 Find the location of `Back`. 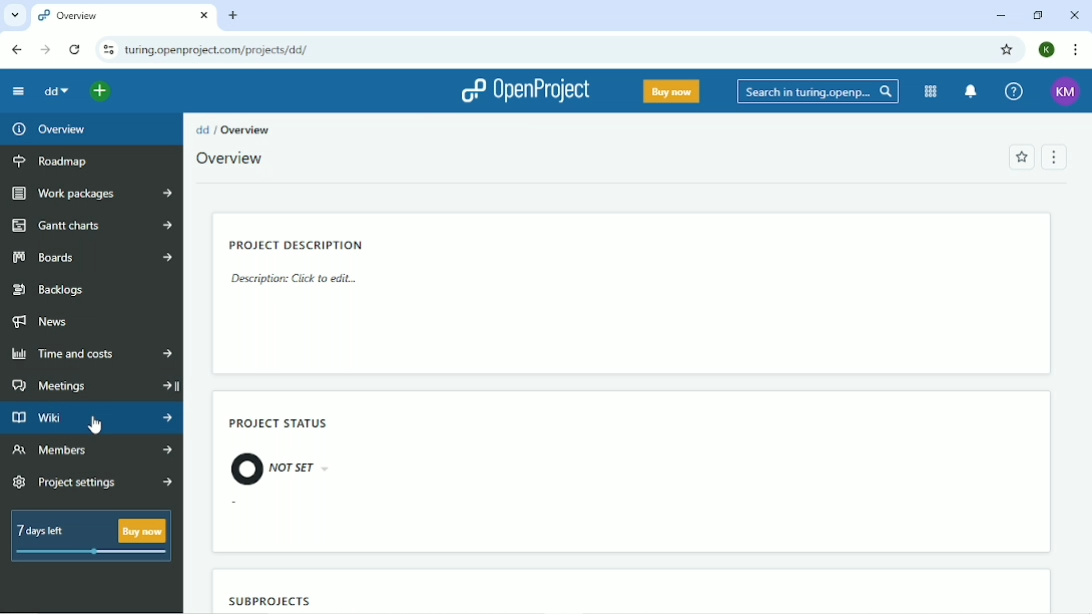

Back is located at coordinates (15, 49).